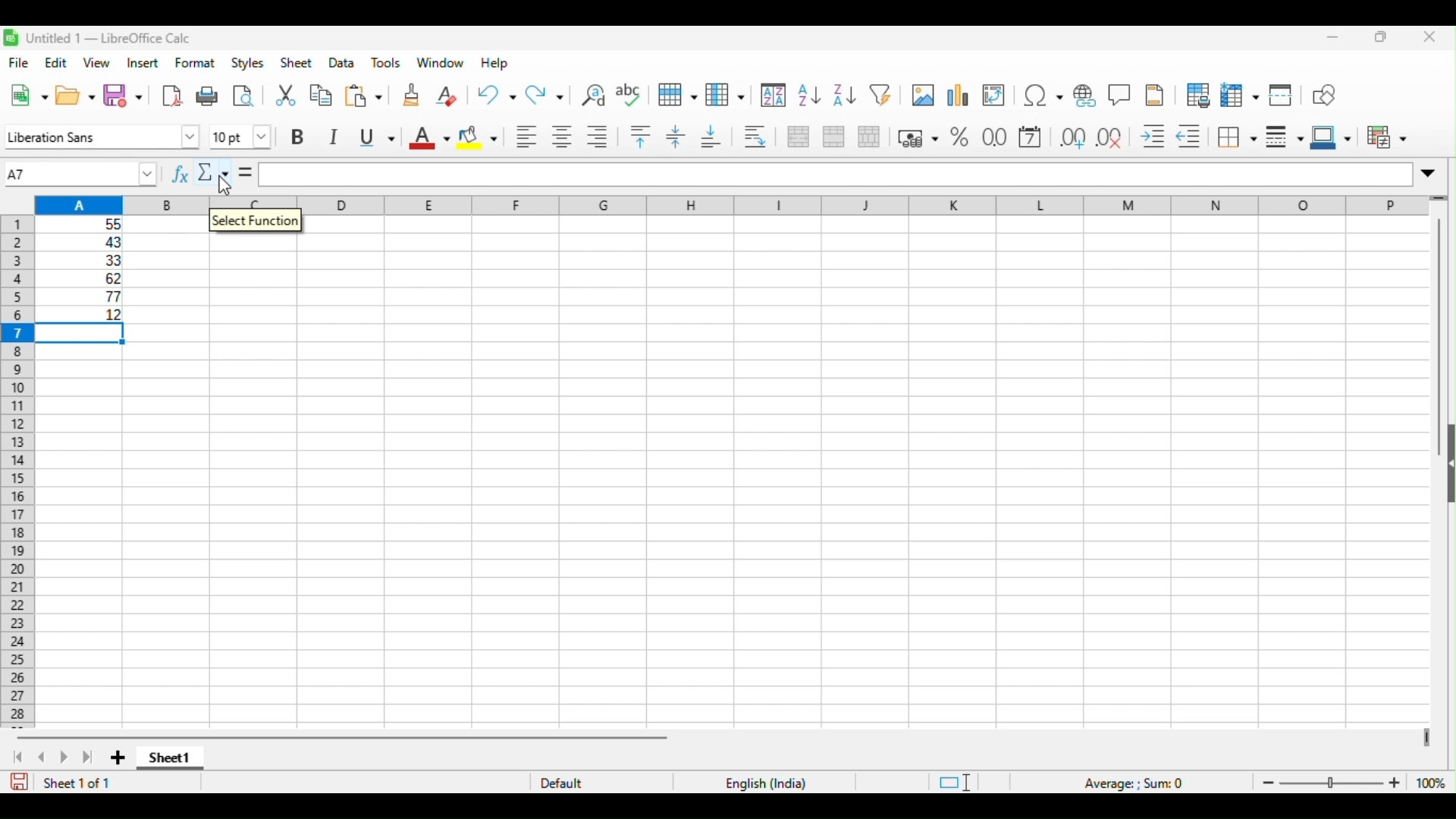 The width and height of the screenshot is (1456, 819). I want to click on border, so click(1237, 137).